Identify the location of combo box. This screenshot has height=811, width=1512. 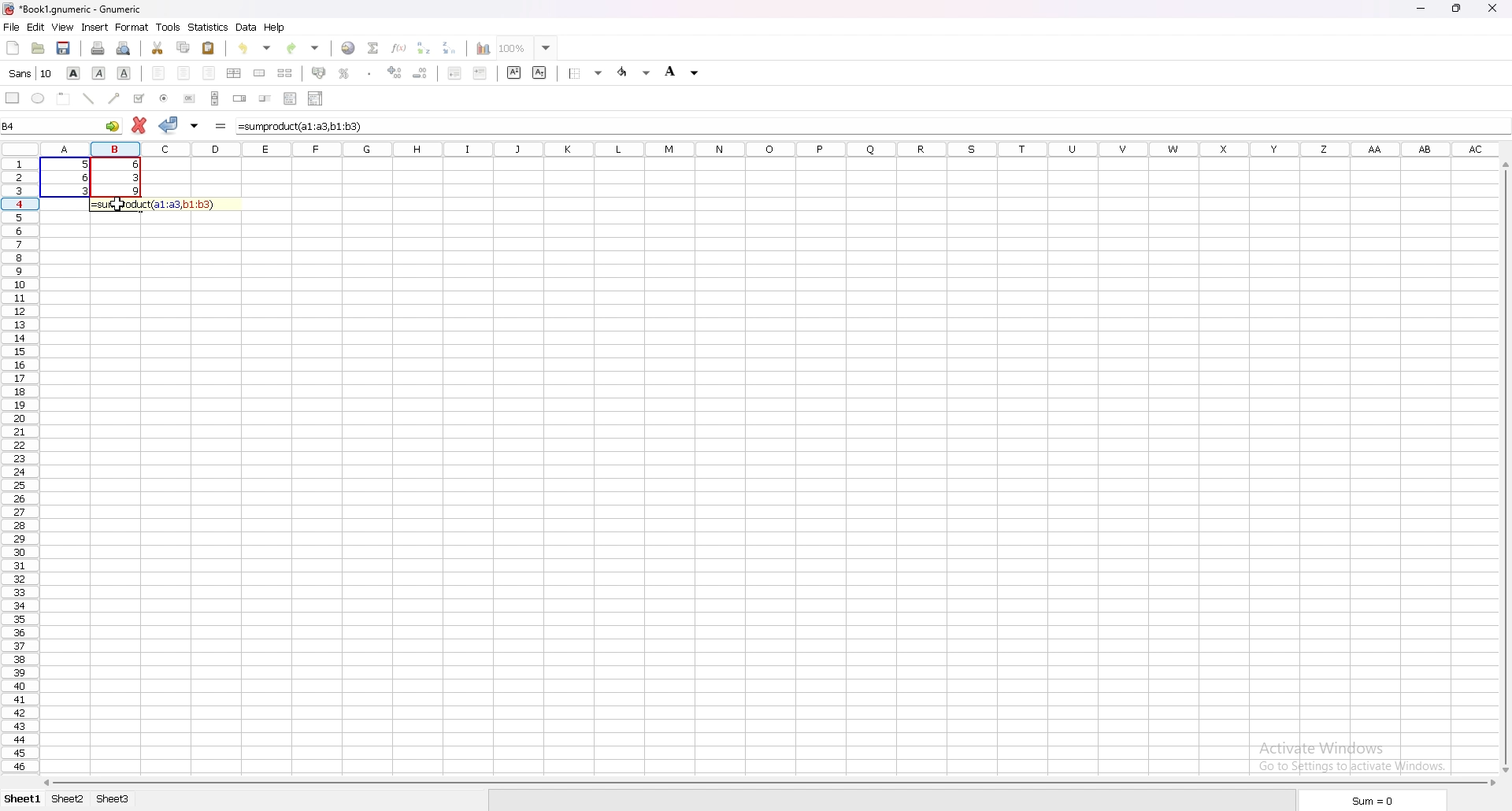
(316, 98).